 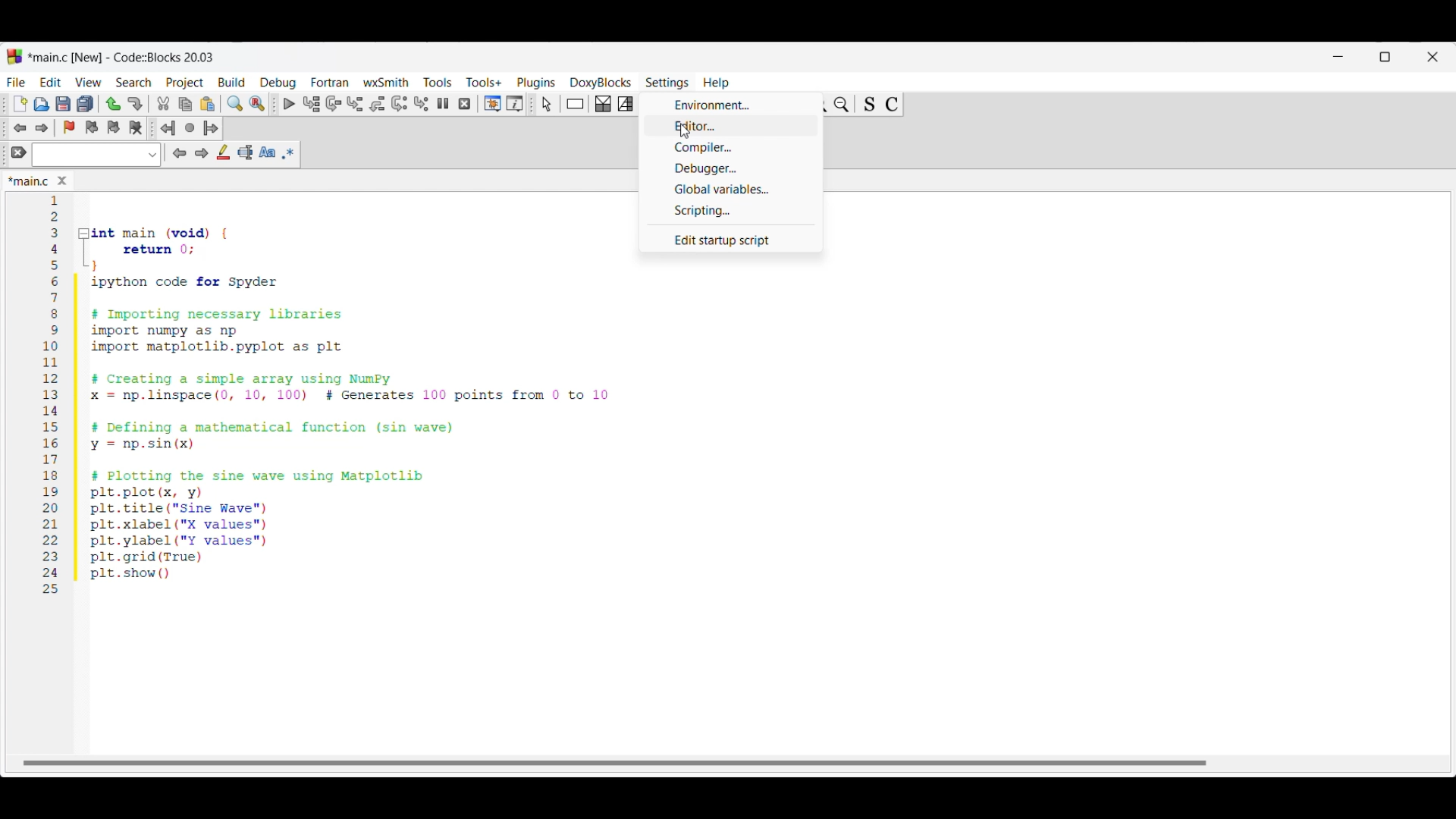 I want to click on Use regex, so click(x=288, y=153).